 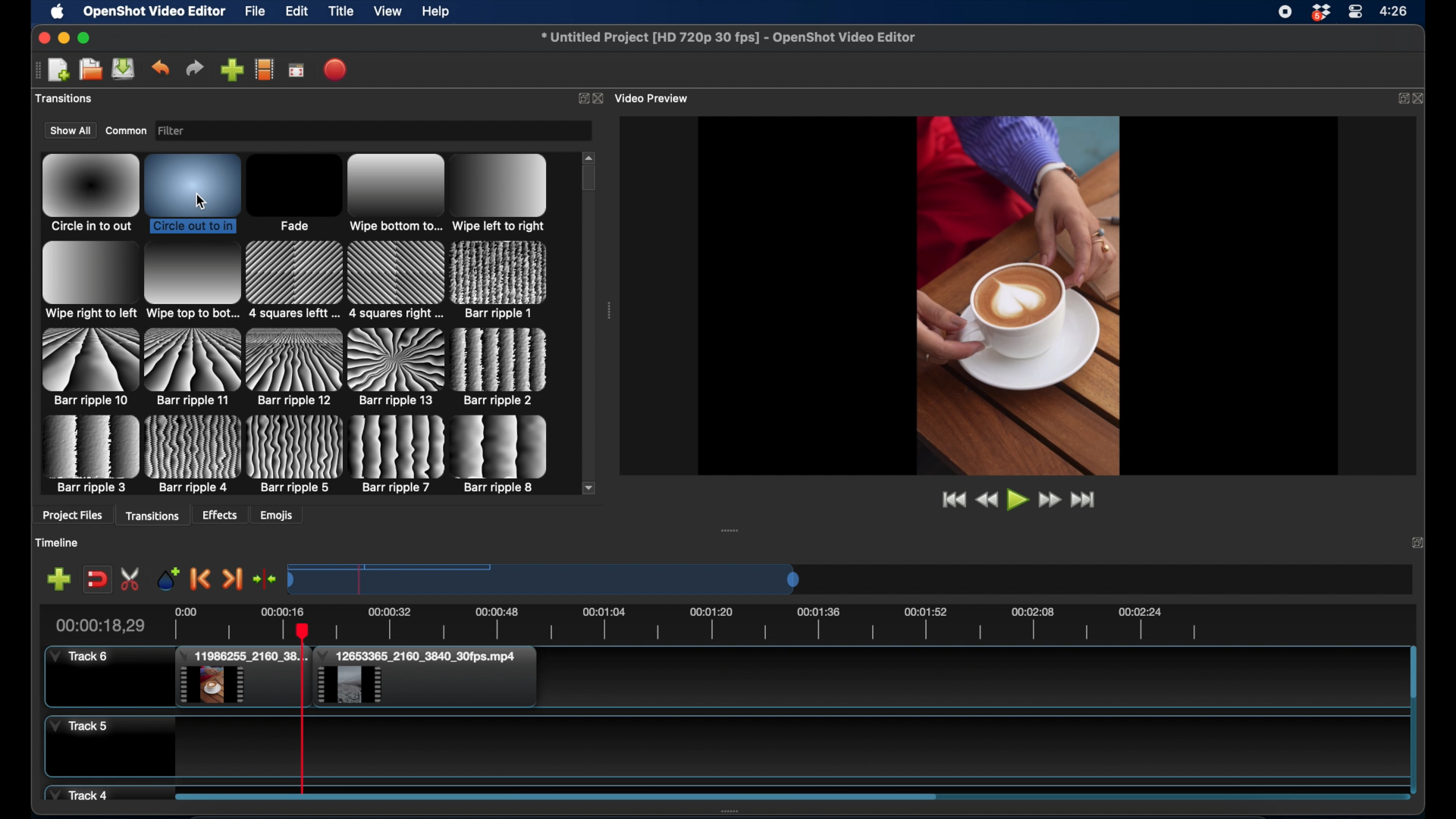 What do you see at coordinates (264, 69) in the screenshot?
I see `choose profile` at bounding box center [264, 69].